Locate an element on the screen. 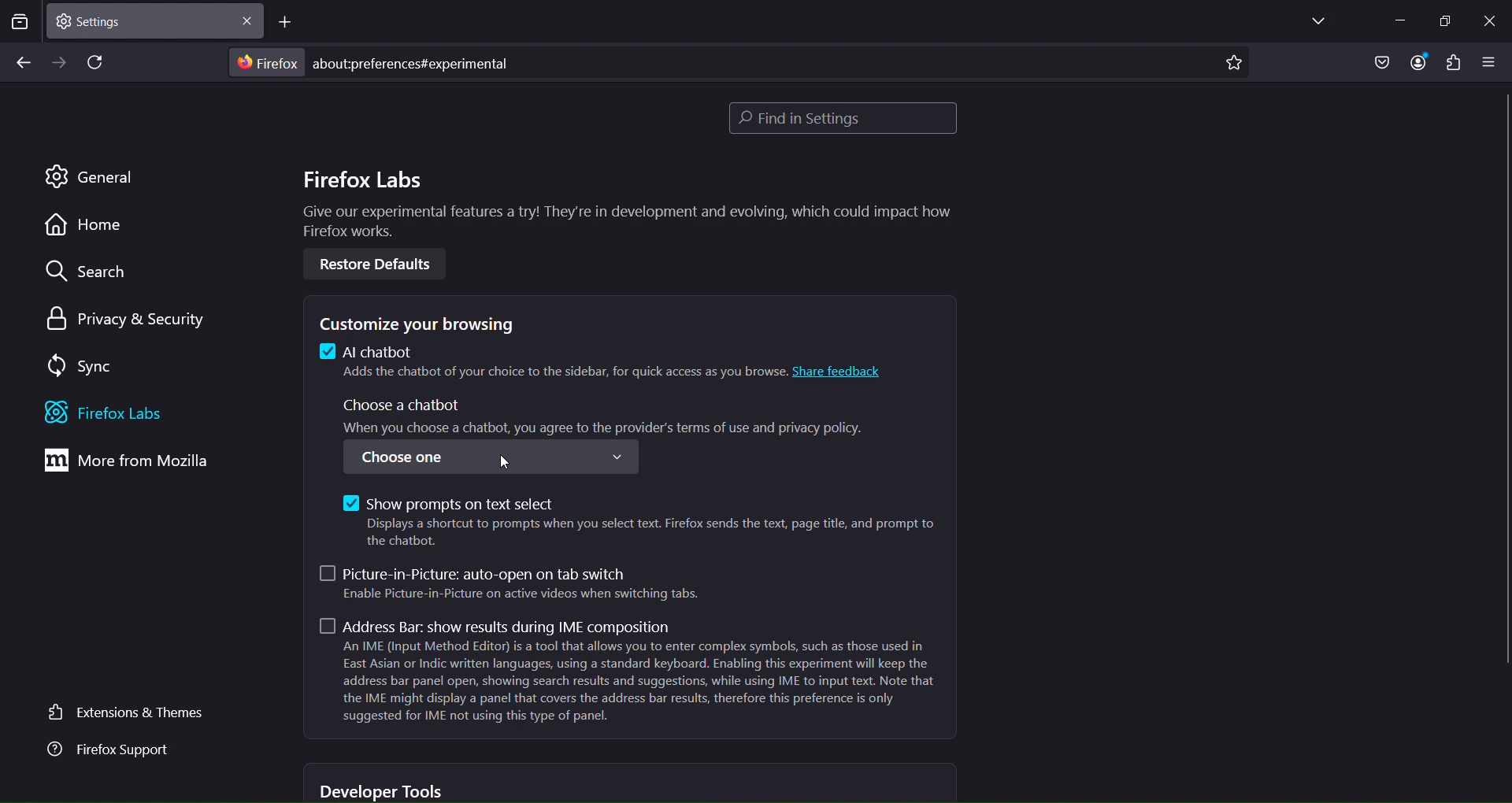 The width and height of the screenshot is (1512, 803). [J Address Bar: show results during IME composition
An IME (Input Method Editor) is a tool that allows you to enter complex symbols, such as those used in
East Asian or Indic written languages, using a standard keyboard. Enabling this experiment will keep the
address bar panel open, showing search results and suggestions, while using IME to input text. Note that
the IME might display a panel that covers the address bar results, therefore this preference is only
suggested for IME not using this type of panel. is located at coordinates (628, 672).